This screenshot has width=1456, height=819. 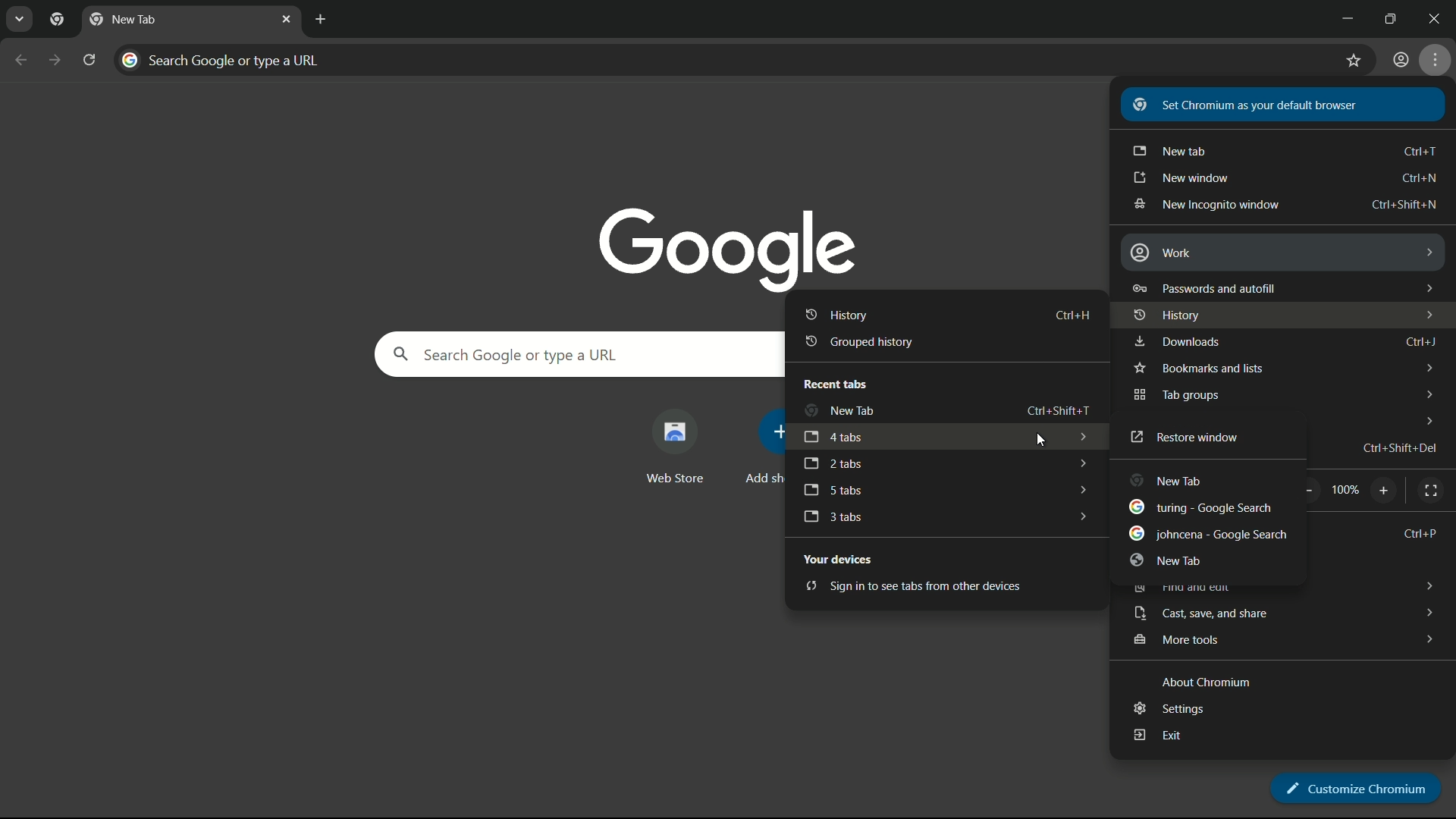 What do you see at coordinates (1182, 438) in the screenshot?
I see `restore window` at bounding box center [1182, 438].